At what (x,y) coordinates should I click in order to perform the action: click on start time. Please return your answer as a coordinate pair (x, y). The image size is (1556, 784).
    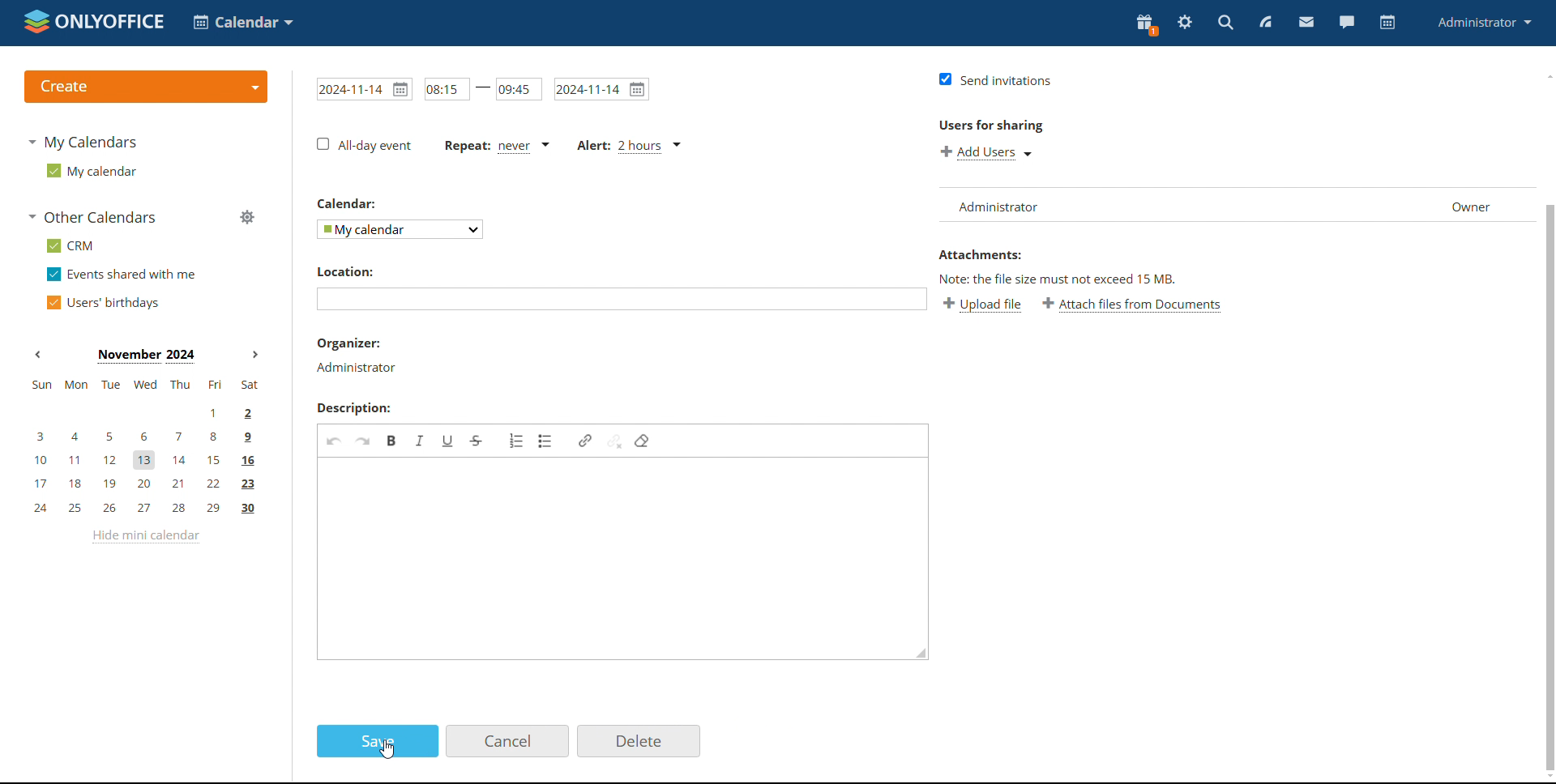
    Looking at the image, I should click on (442, 90).